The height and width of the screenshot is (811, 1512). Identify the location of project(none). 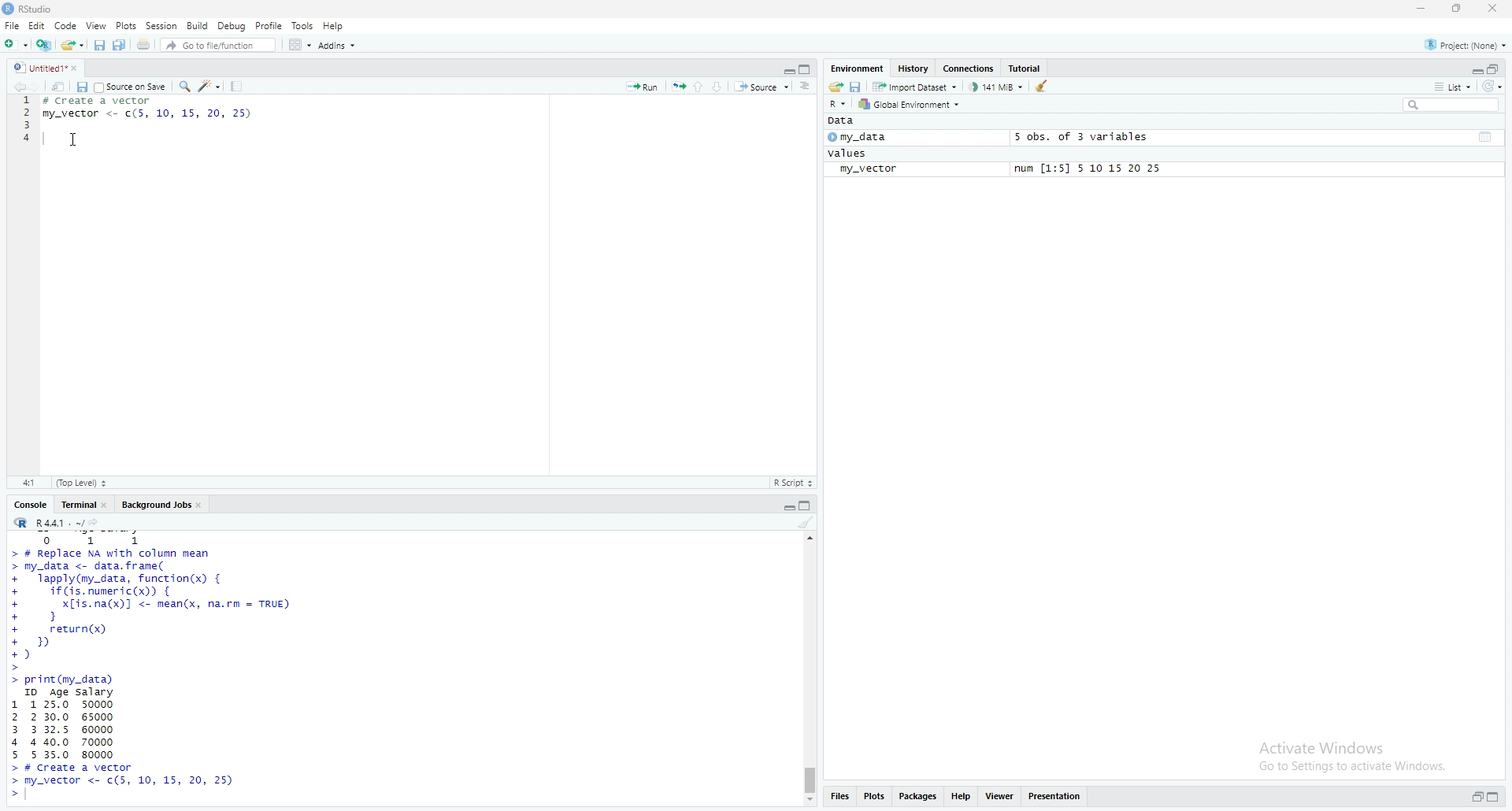
(1461, 45).